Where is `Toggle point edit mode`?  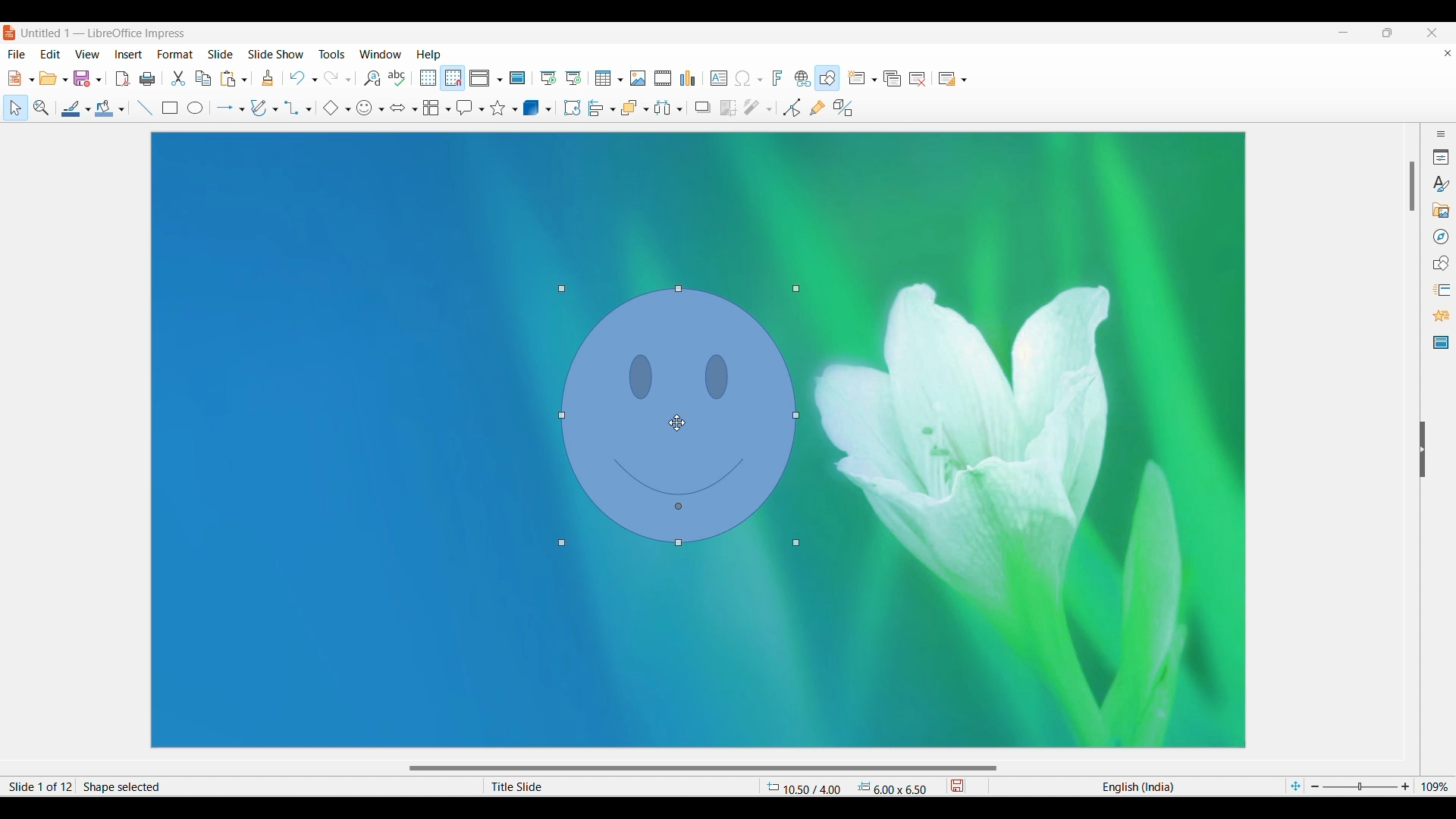 Toggle point edit mode is located at coordinates (792, 108).